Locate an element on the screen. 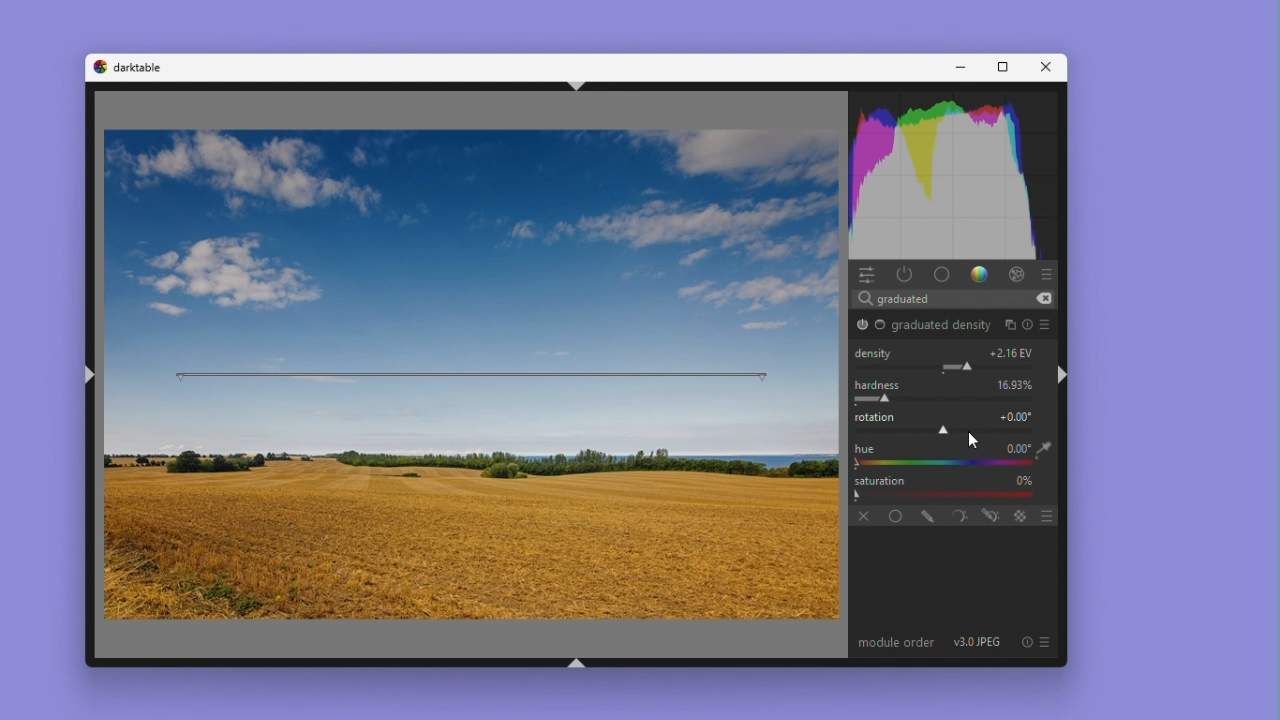 The image size is (1280, 720). Quick access is located at coordinates (866, 274).